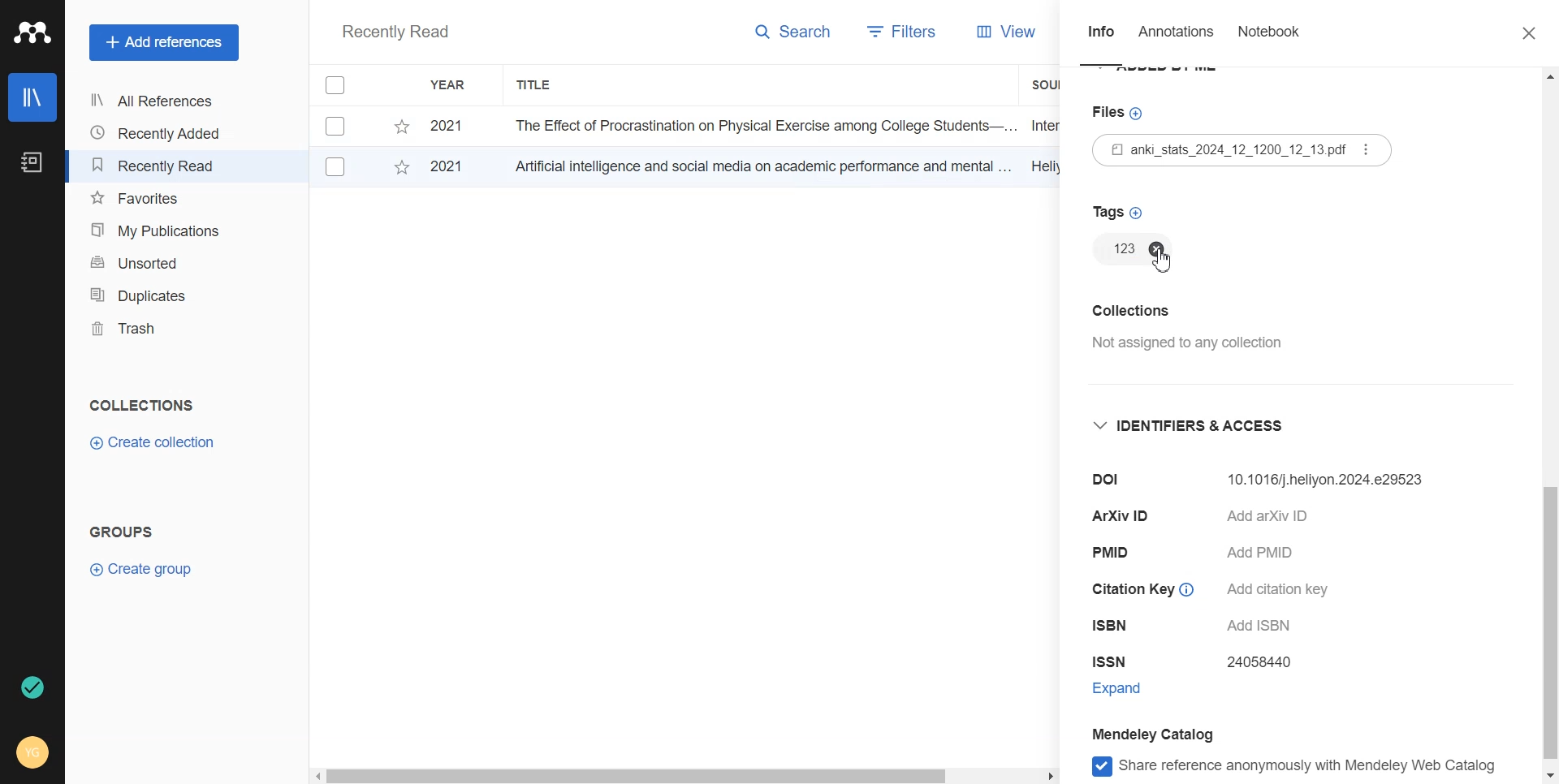  Describe the element at coordinates (684, 774) in the screenshot. I see `Horizontal scroll bar` at that location.